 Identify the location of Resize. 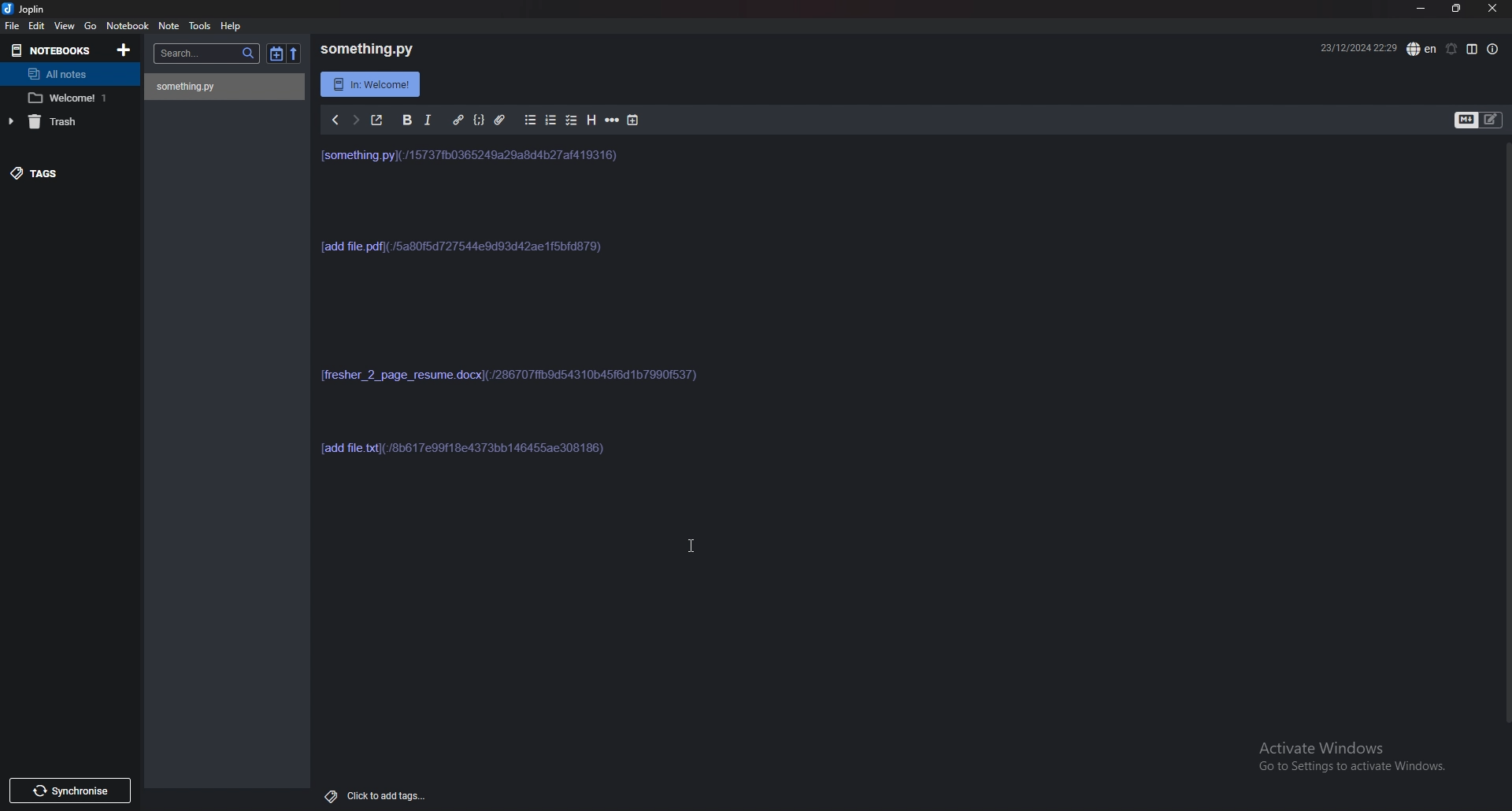
(1454, 9).